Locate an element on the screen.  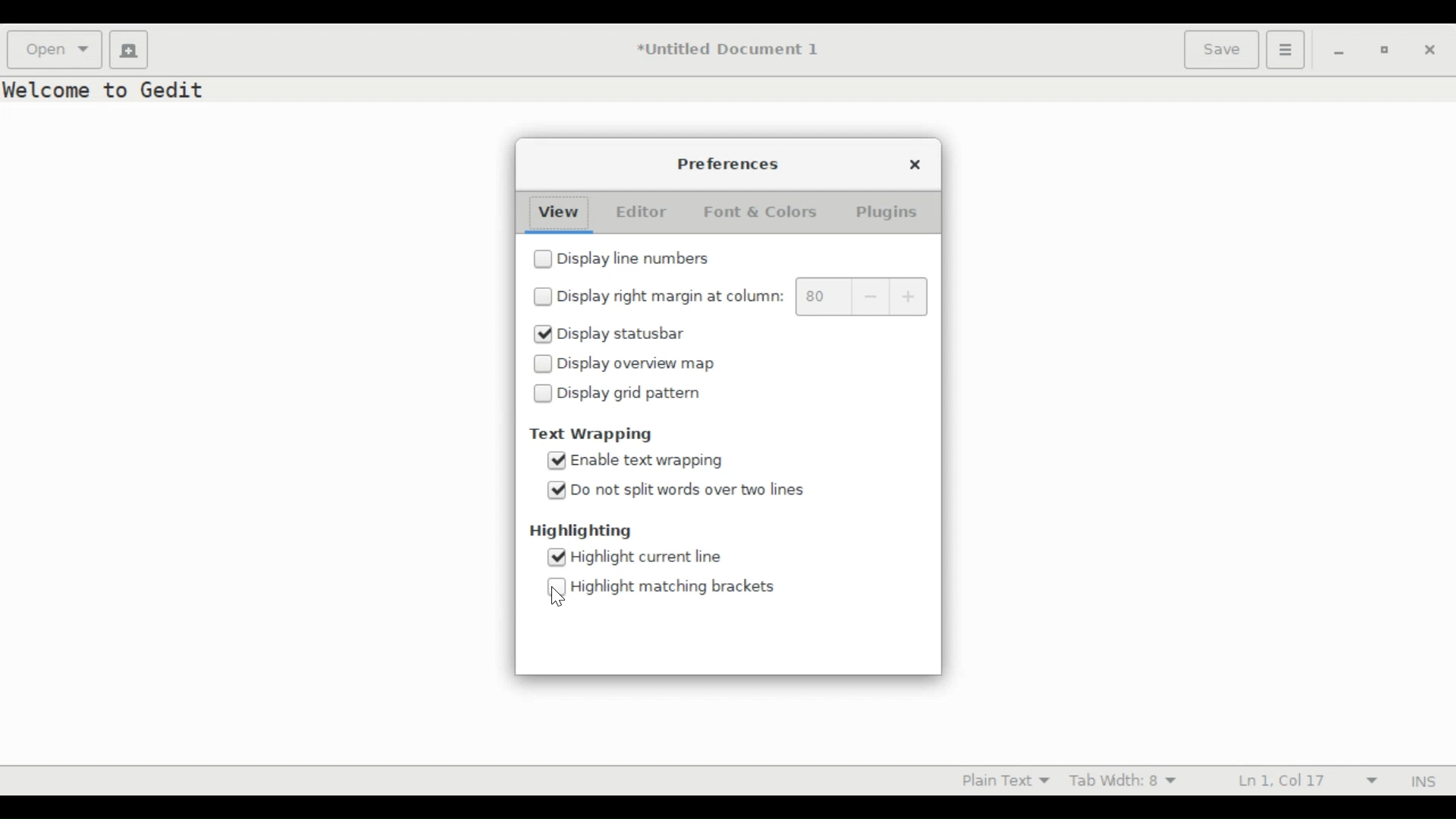
Highlight mode dropdown menu is located at coordinates (1002, 781).